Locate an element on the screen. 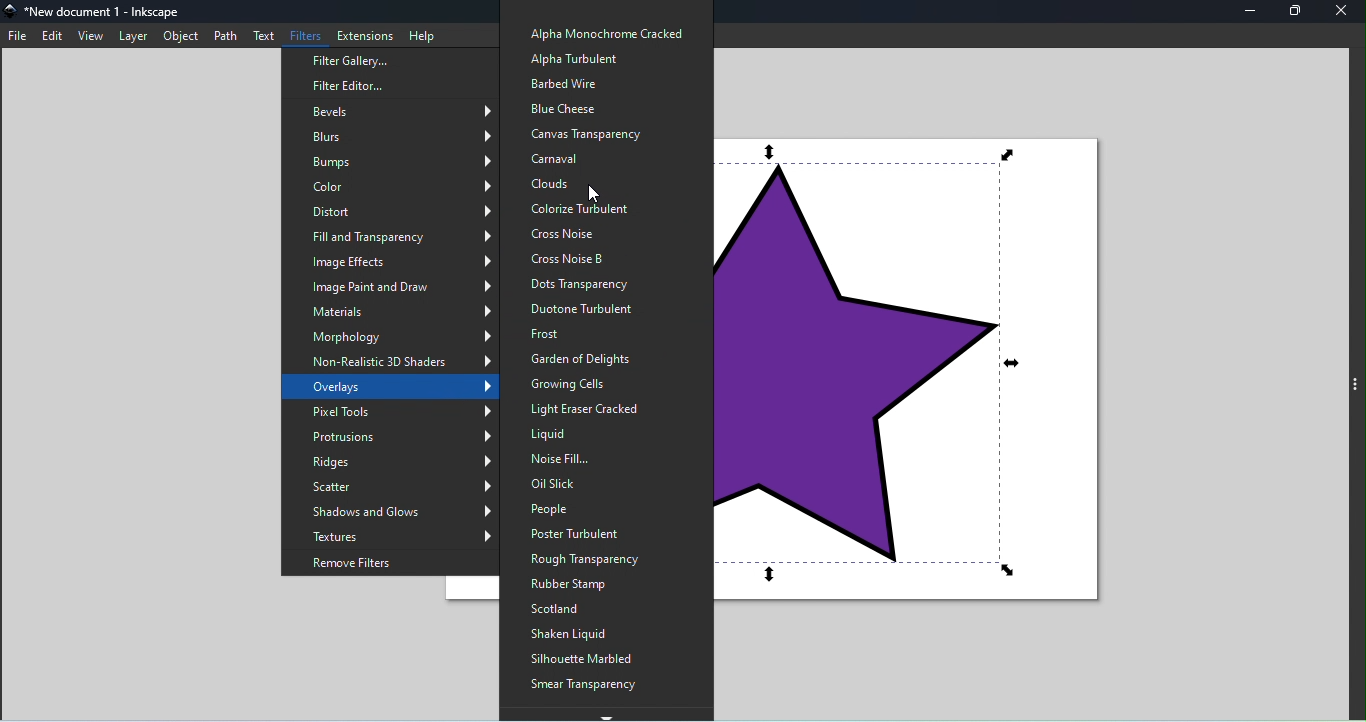 Image resolution: width=1366 pixels, height=722 pixels. Liquid is located at coordinates (609, 438).